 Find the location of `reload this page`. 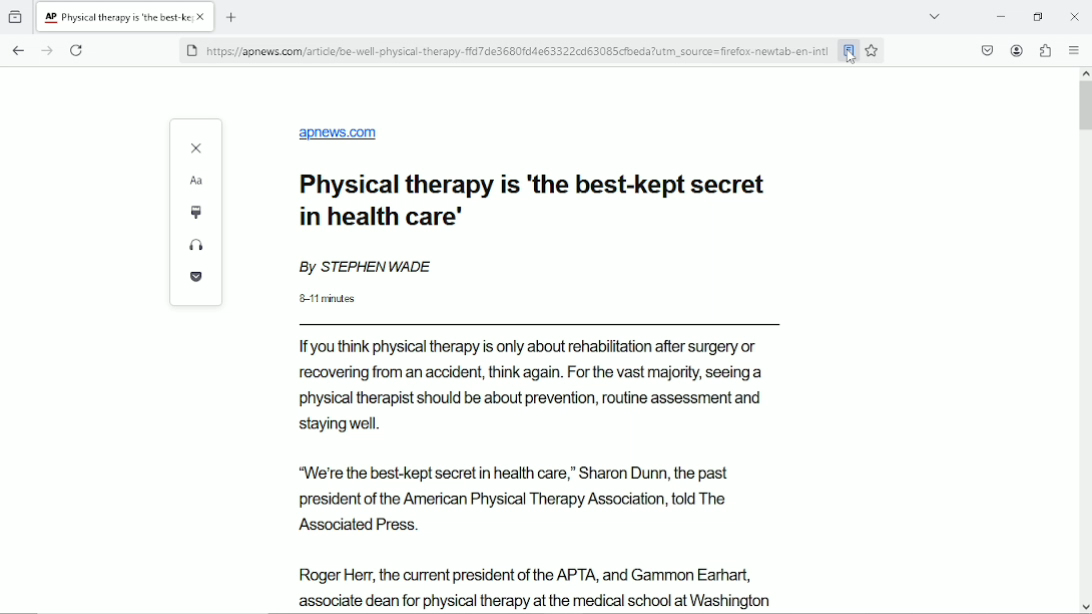

reload this page is located at coordinates (78, 50).